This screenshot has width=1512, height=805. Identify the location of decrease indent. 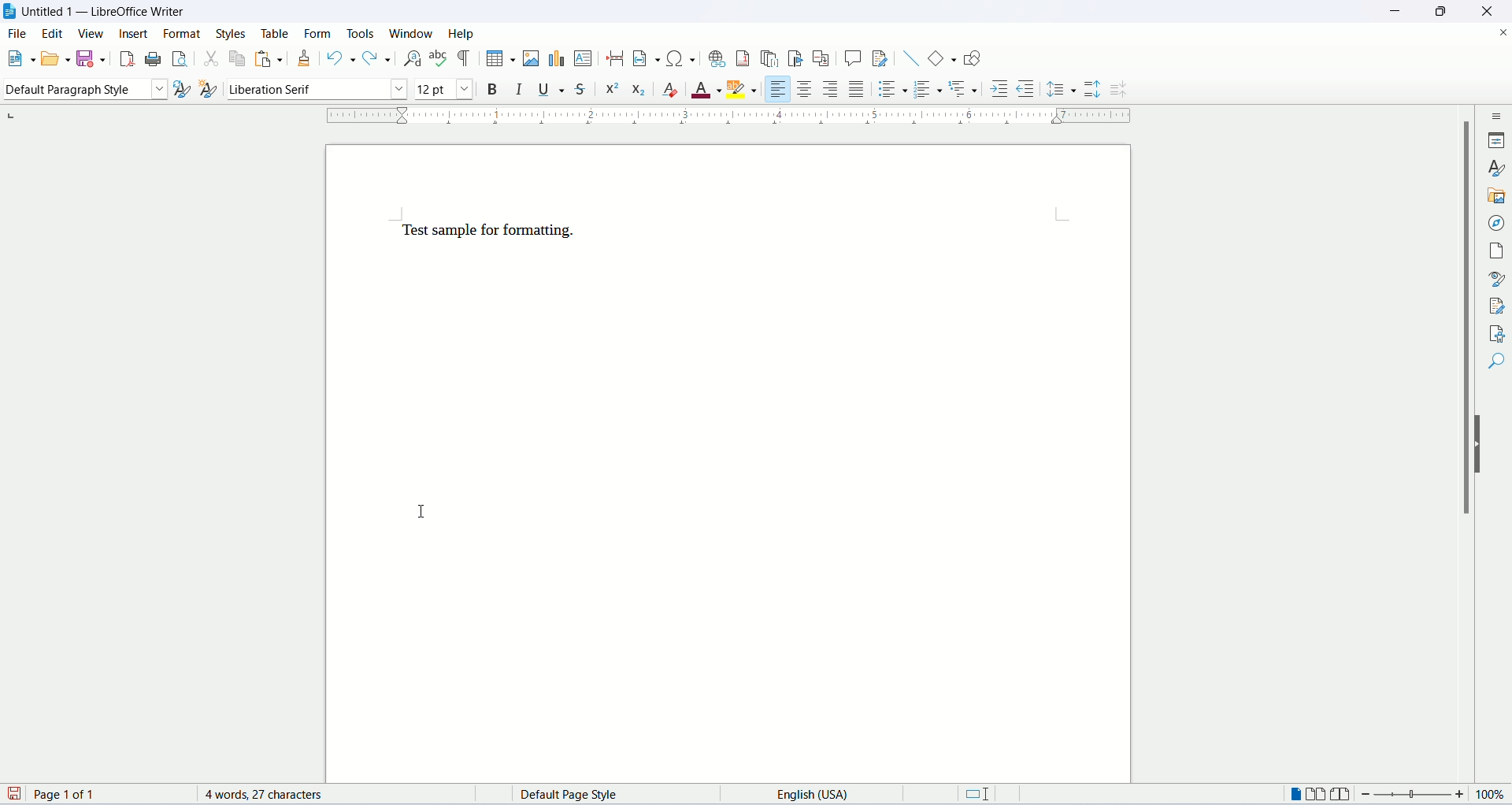
(1025, 88).